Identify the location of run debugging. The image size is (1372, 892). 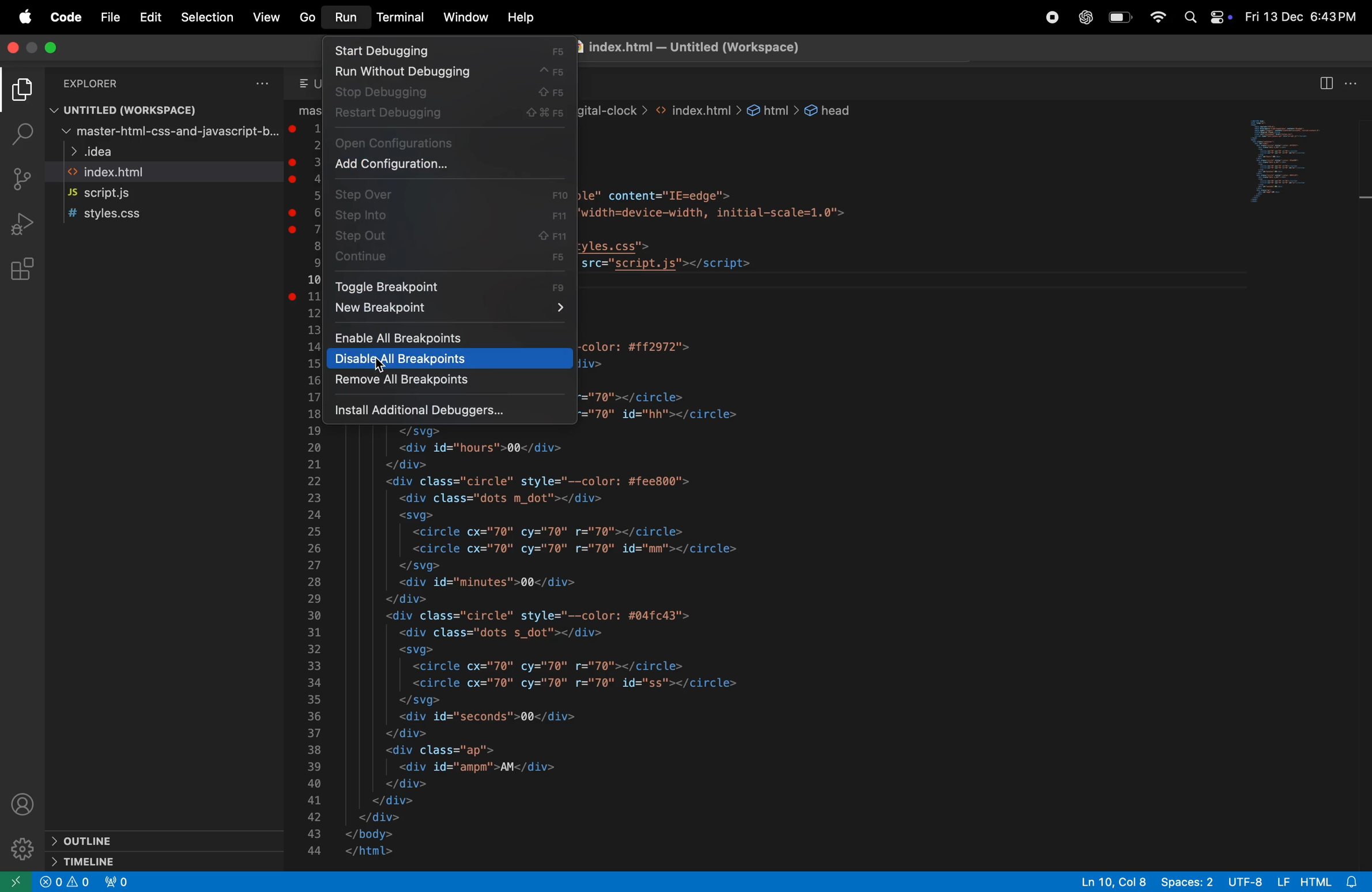
(448, 72).